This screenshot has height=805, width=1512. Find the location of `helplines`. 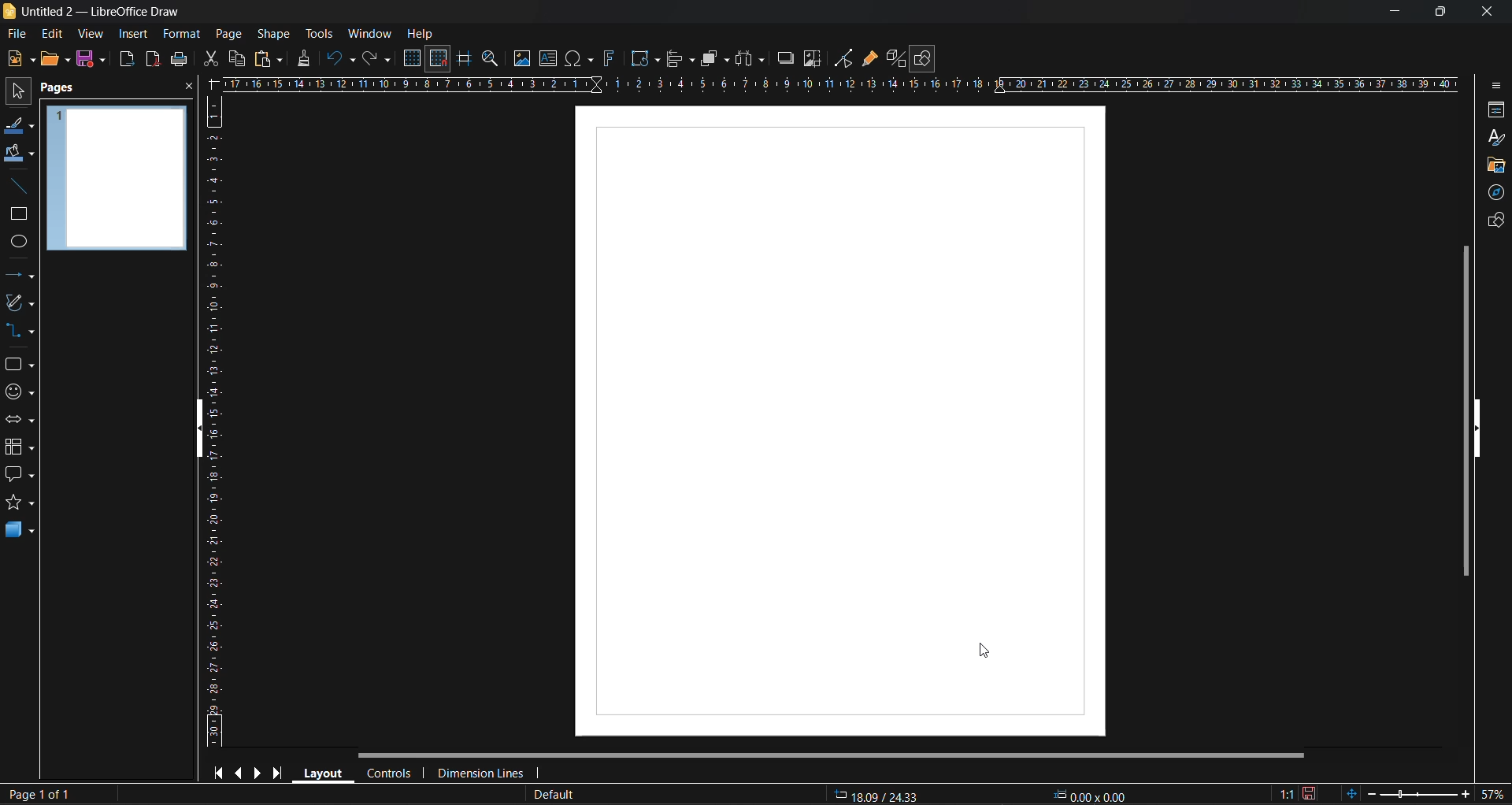

helplines is located at coordinates (465, 57).